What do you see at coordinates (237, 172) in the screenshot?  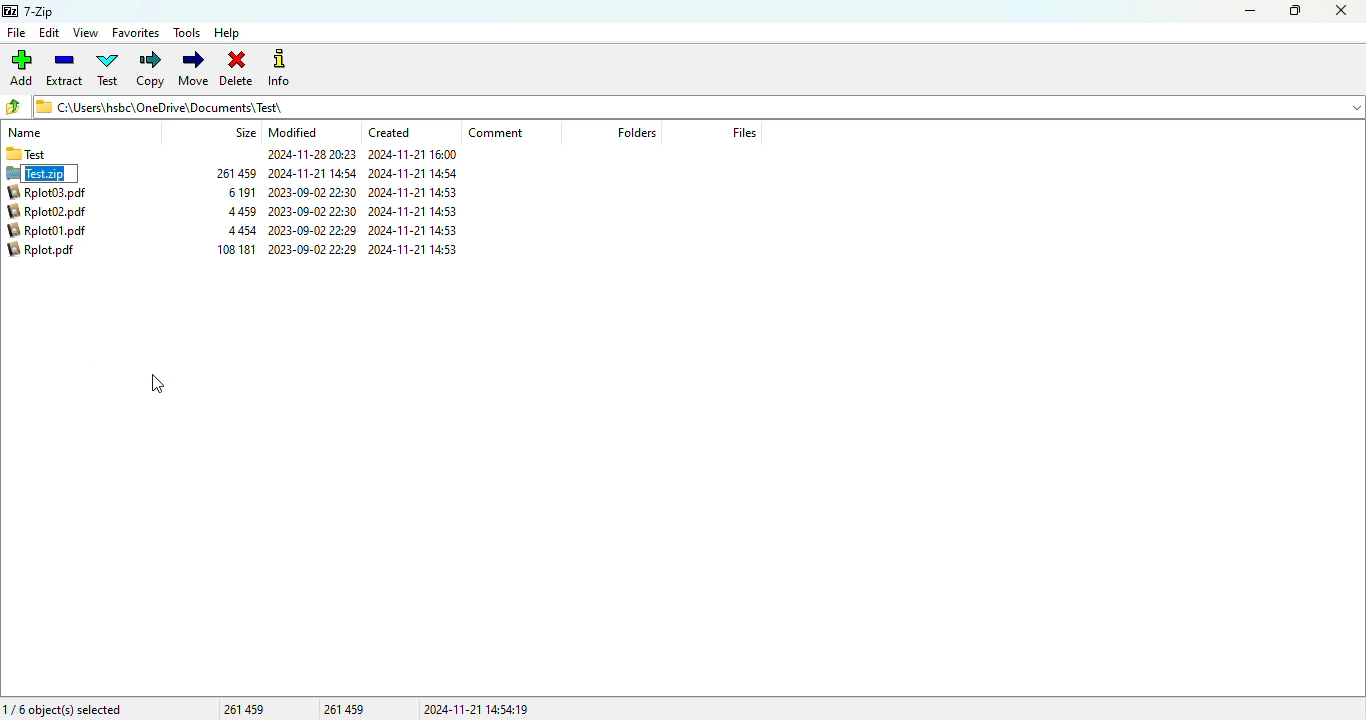 I see `261 459` at bounding box center [237, 172].